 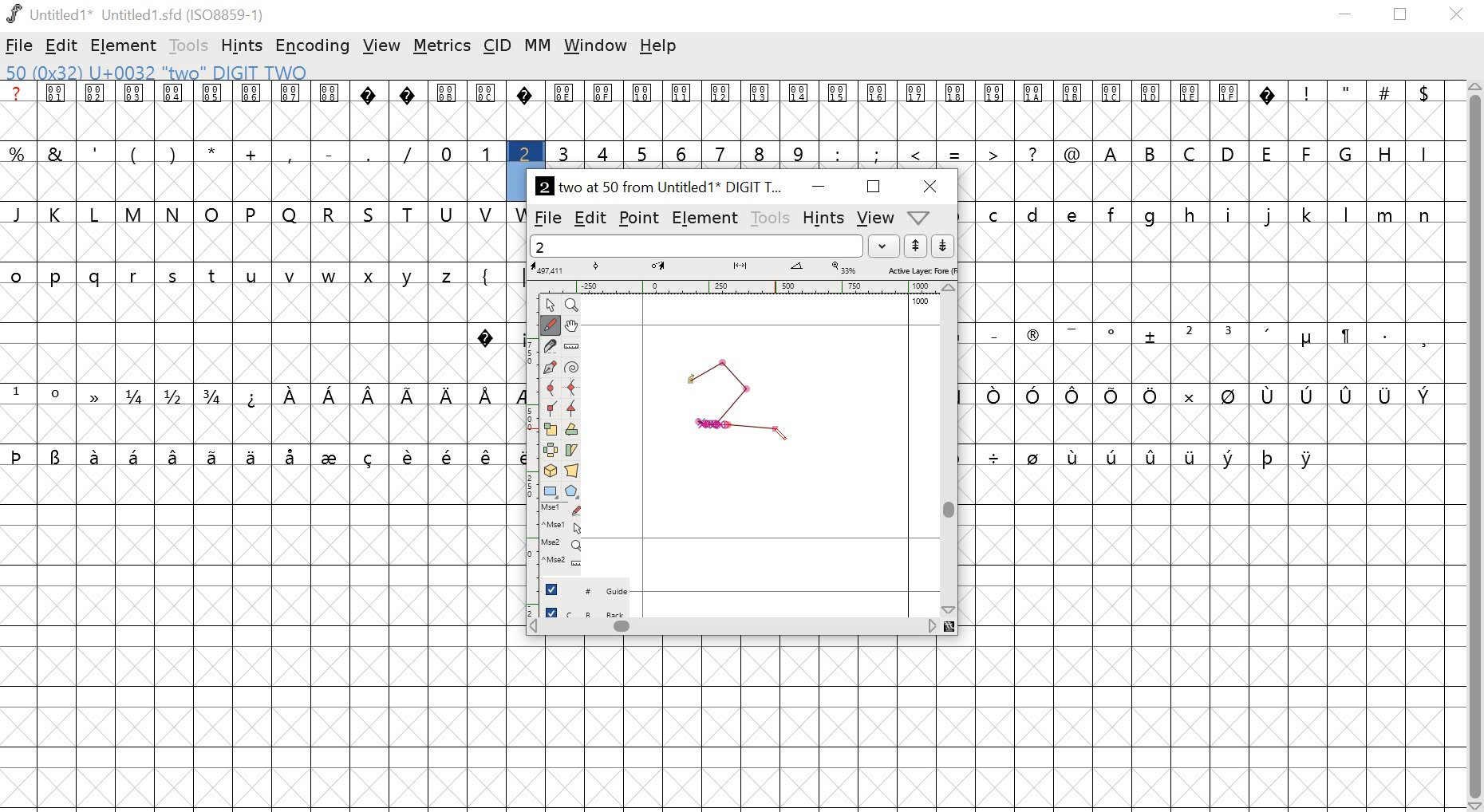 What do you see at coordinates (189, 46) in the screenshot?
I see `tools` at bounding box center [189, 46].